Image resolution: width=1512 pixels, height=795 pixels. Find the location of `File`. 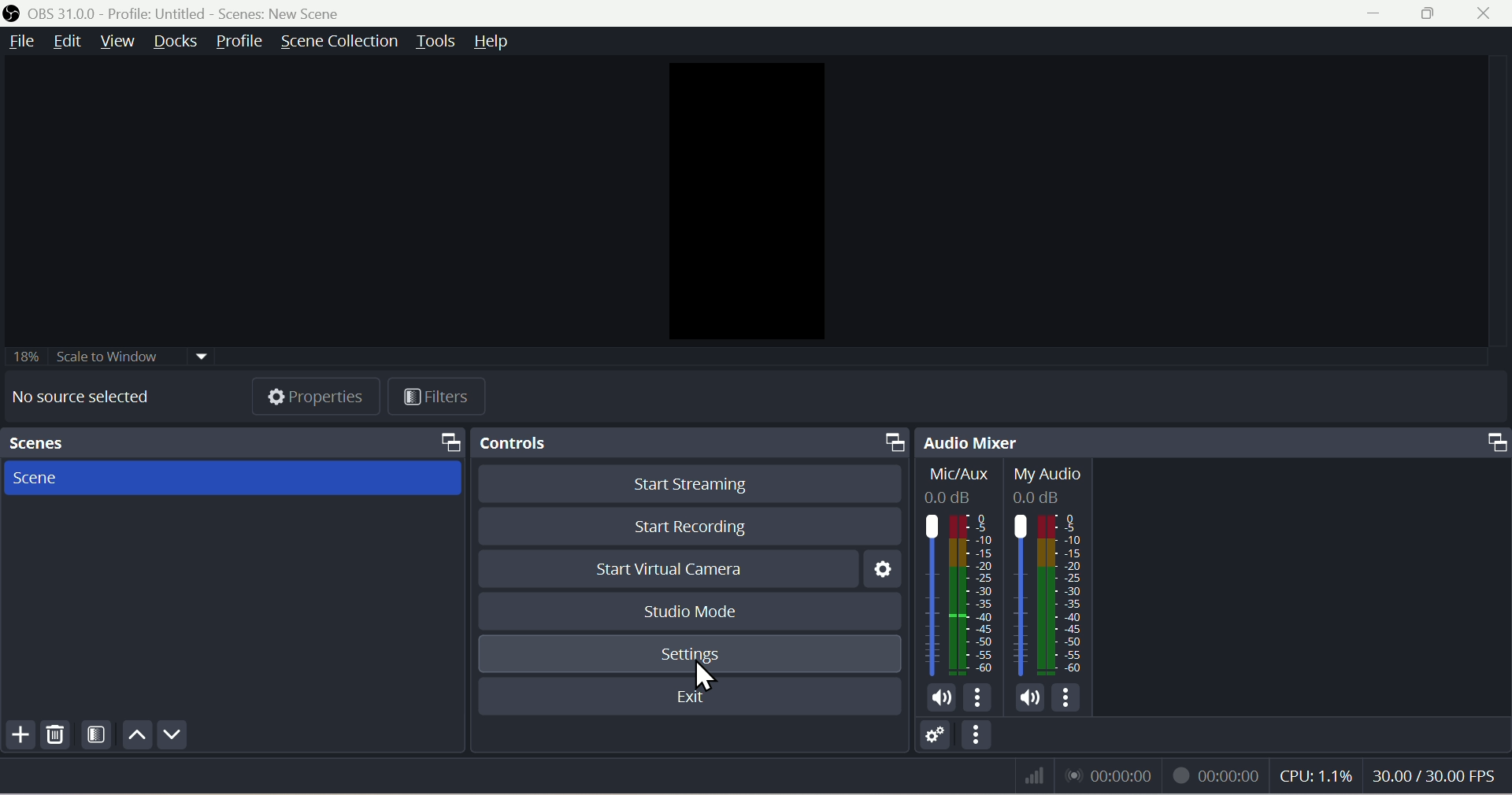

File is located at coordinates (18, 44).